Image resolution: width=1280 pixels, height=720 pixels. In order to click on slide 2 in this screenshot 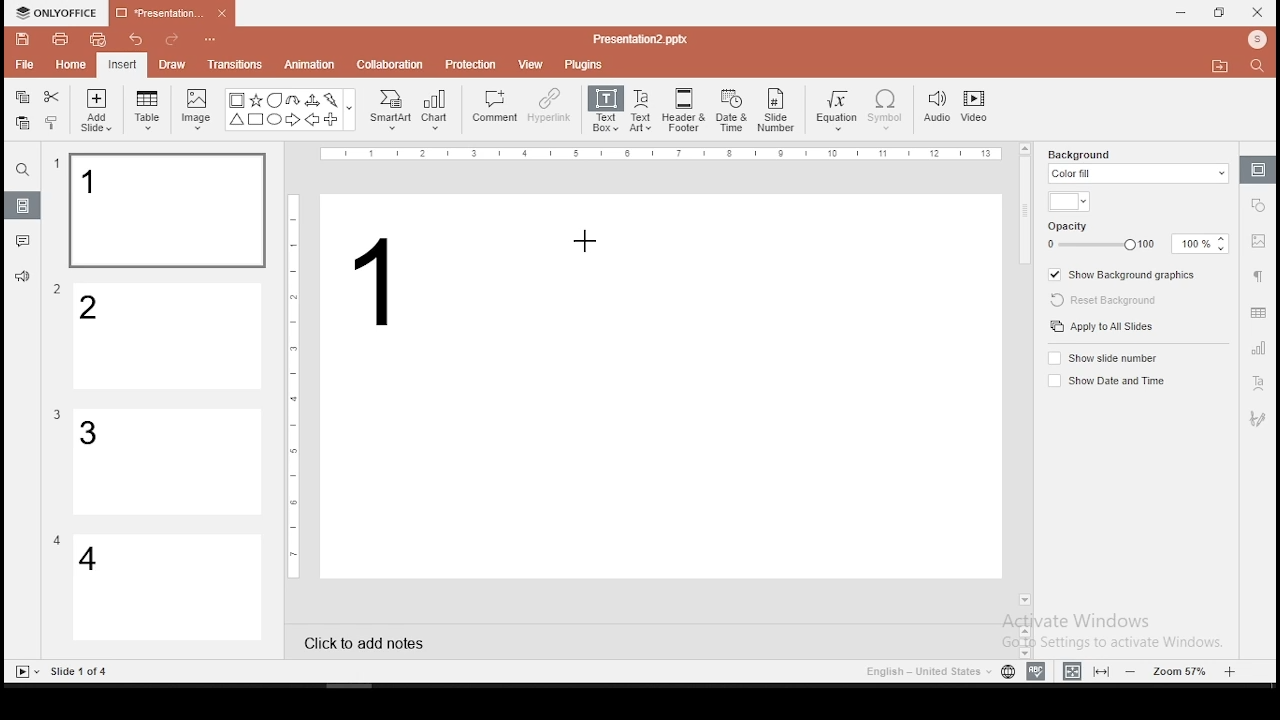, I will do `click(169, 337)`.